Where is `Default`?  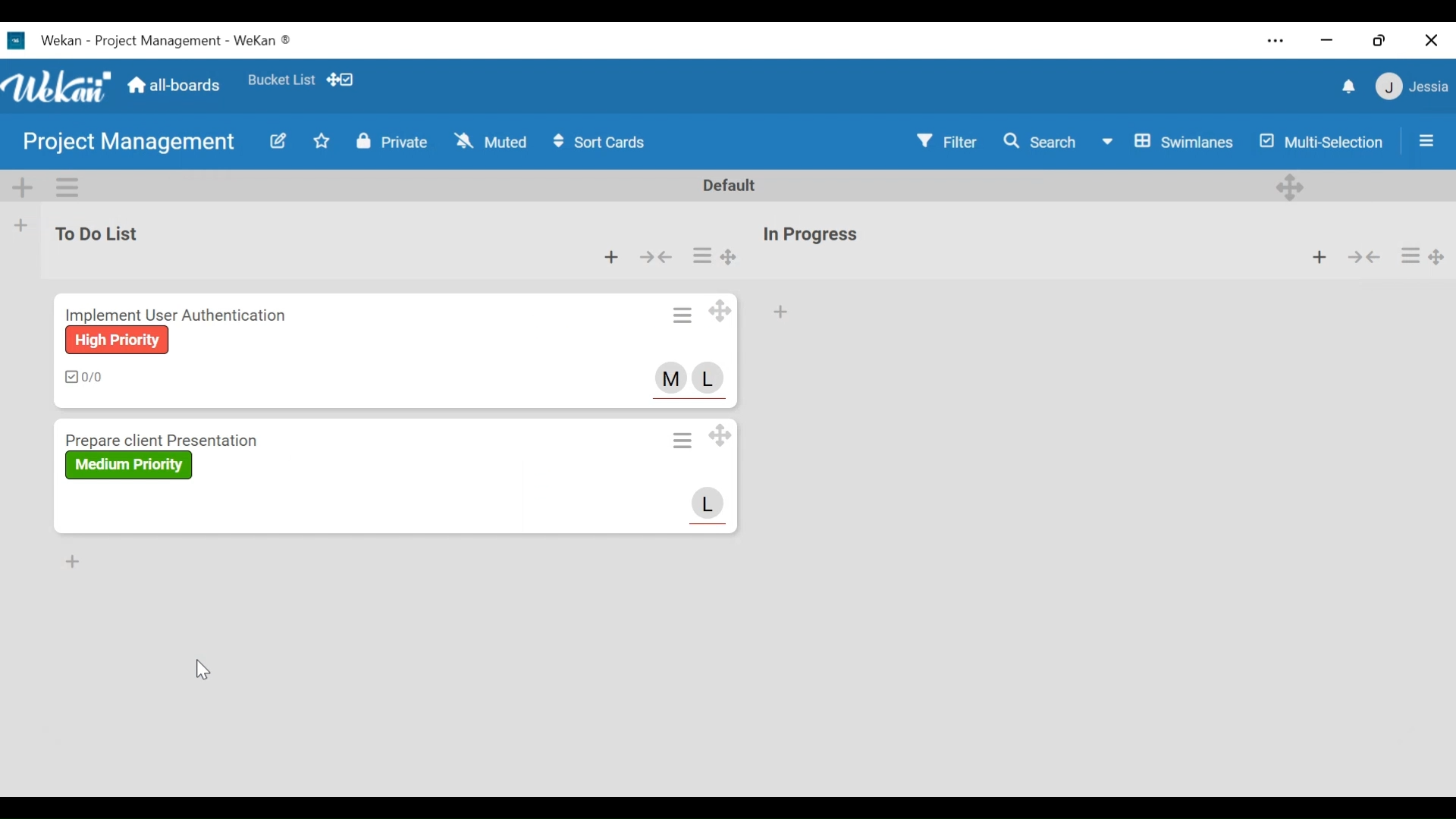 Default is located at coordinates (723, 186).